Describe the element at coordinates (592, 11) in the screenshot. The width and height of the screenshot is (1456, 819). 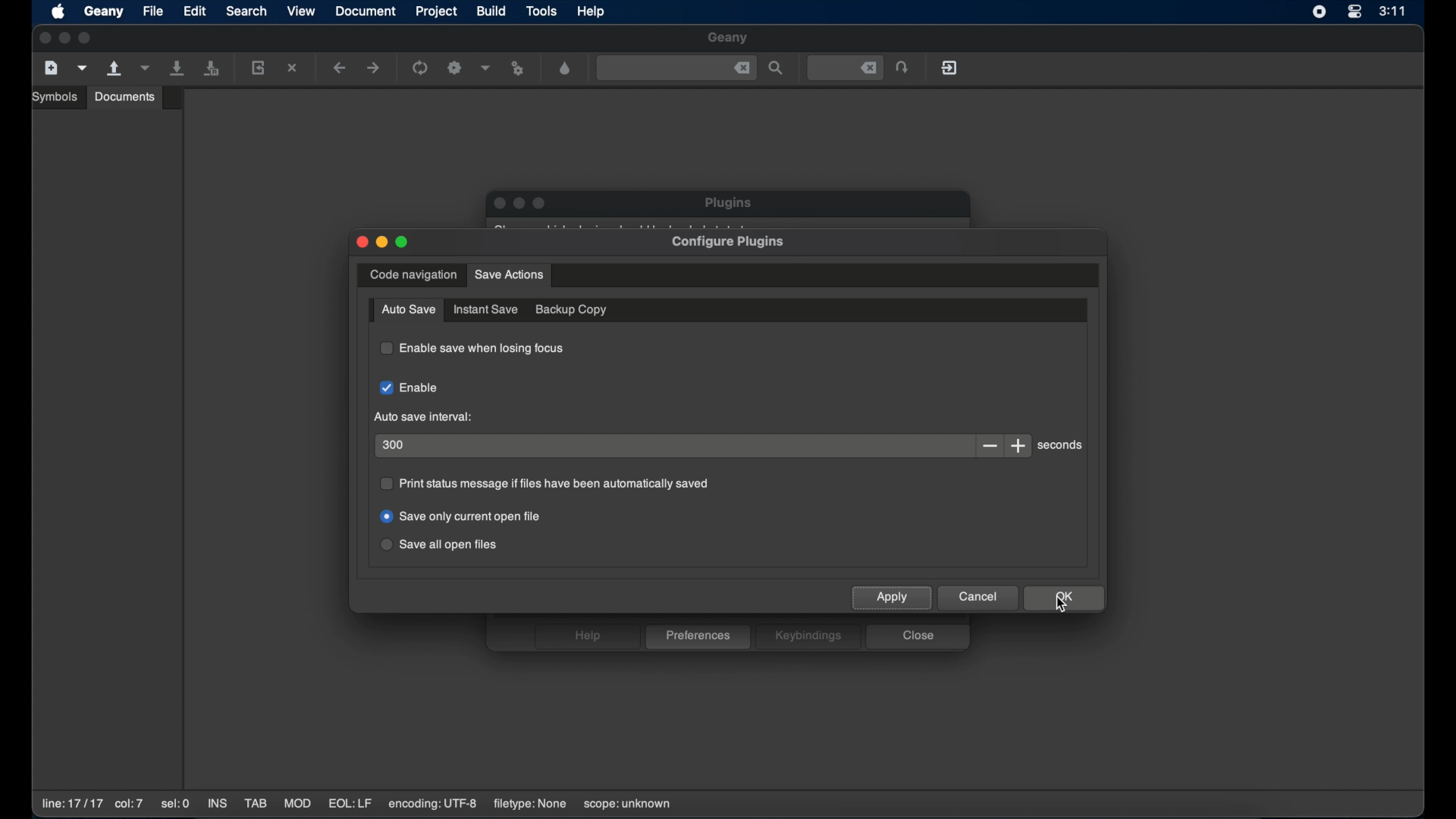
I see `help` at that location.